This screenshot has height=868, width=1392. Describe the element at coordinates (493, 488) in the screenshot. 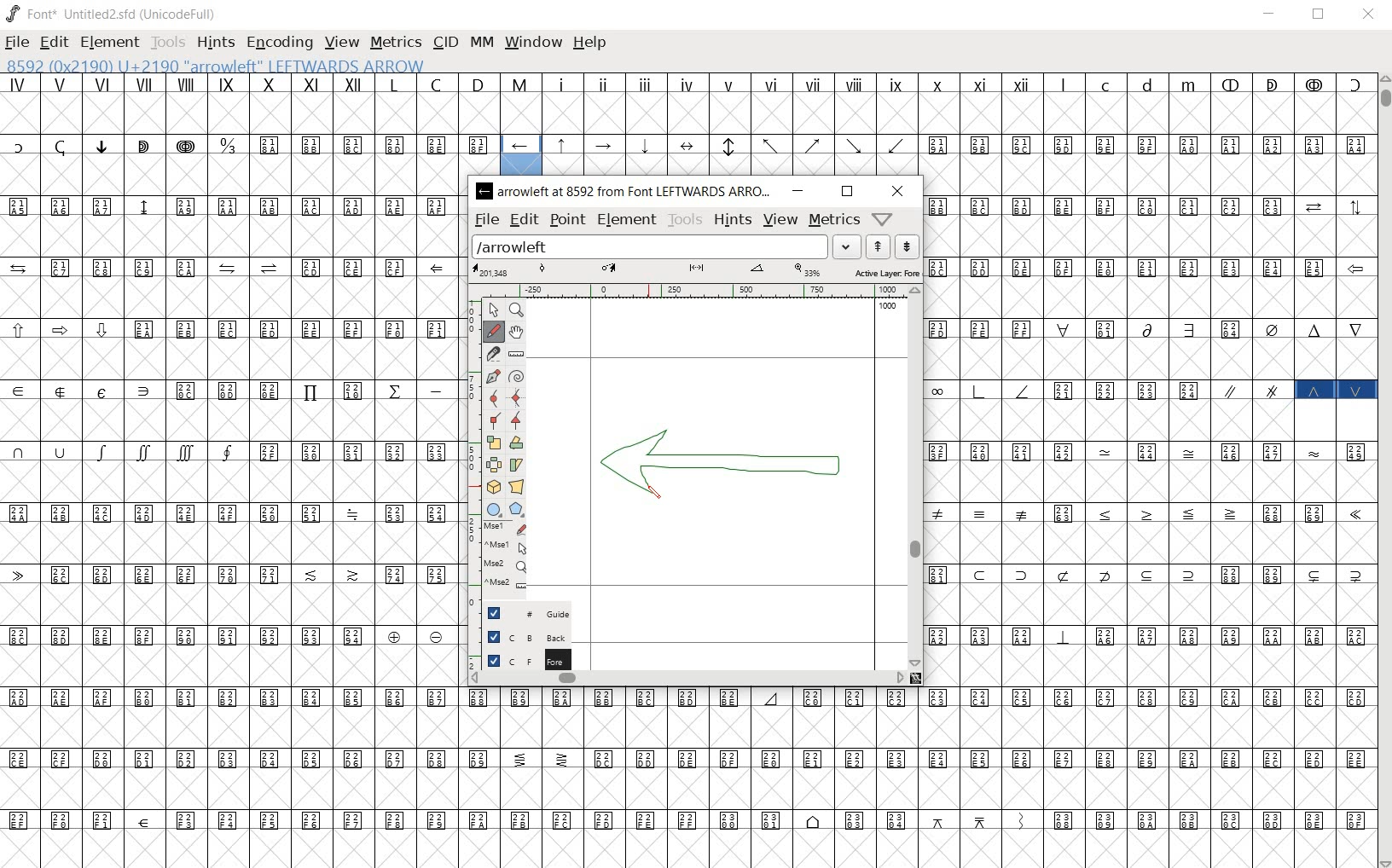

I see `rotate the selection in 3D and project back to plane` at that location.